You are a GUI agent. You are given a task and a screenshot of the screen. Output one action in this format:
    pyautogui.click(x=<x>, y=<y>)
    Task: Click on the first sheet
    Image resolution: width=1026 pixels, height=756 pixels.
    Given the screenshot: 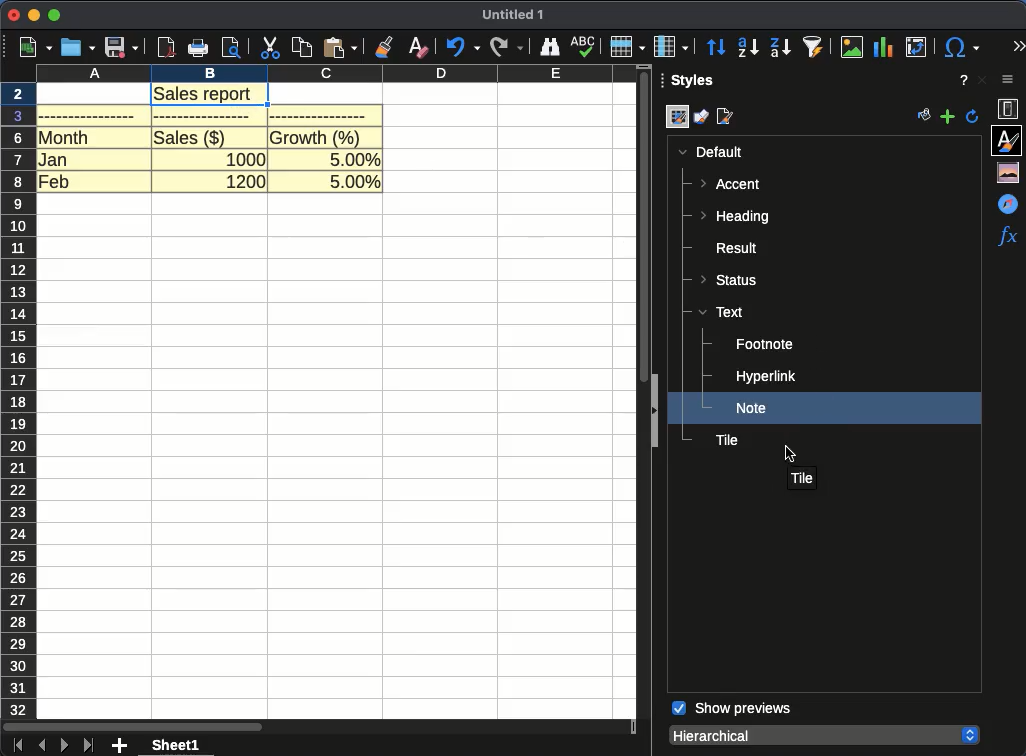 What is the action you would take?
    pyautogui.click(x=16, y=746)
    